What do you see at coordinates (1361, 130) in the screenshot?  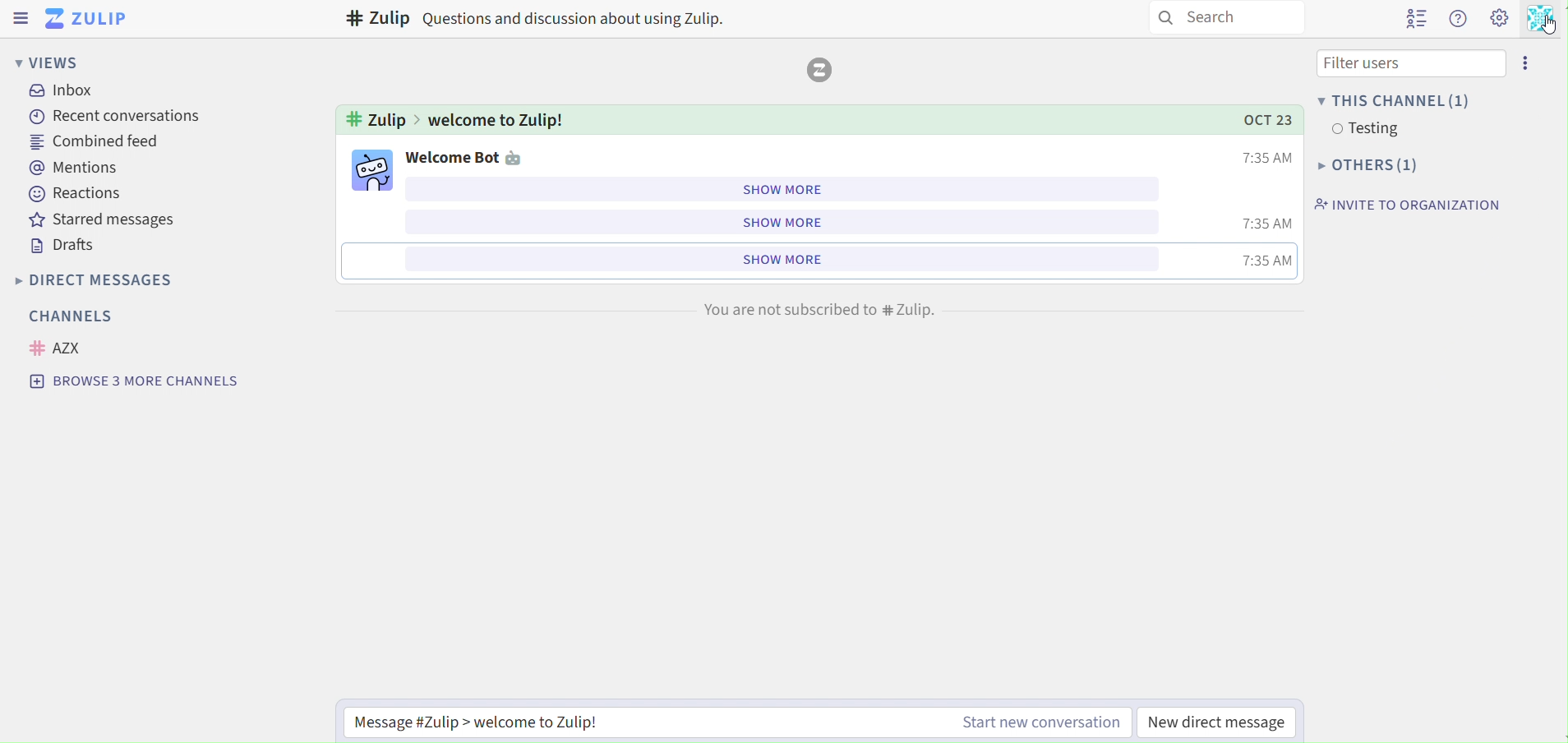 I see `testing` at bounding box center [1361, 130].